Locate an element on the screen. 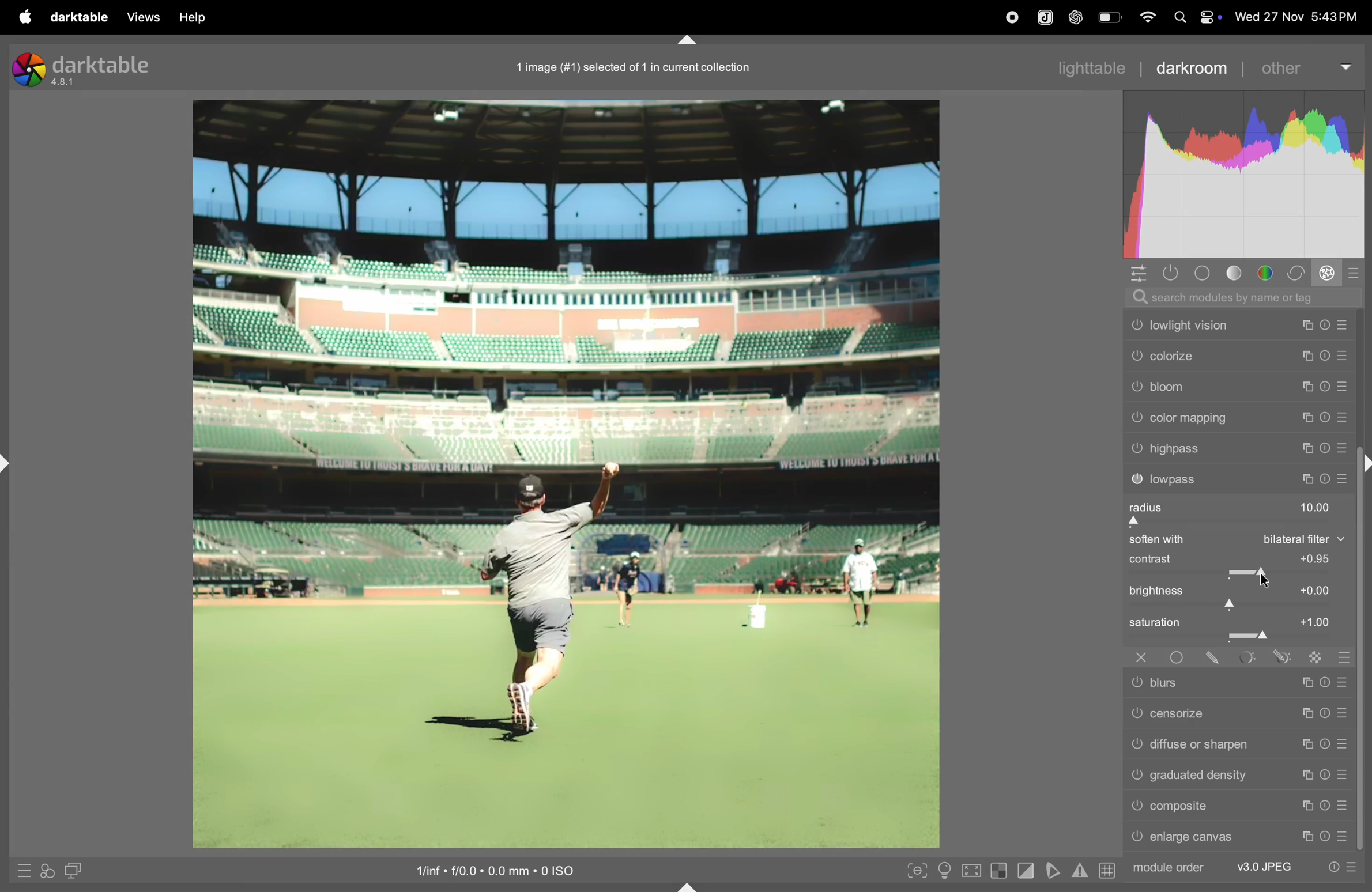  shift+ctrl+t is located at coordinates (688, 40).